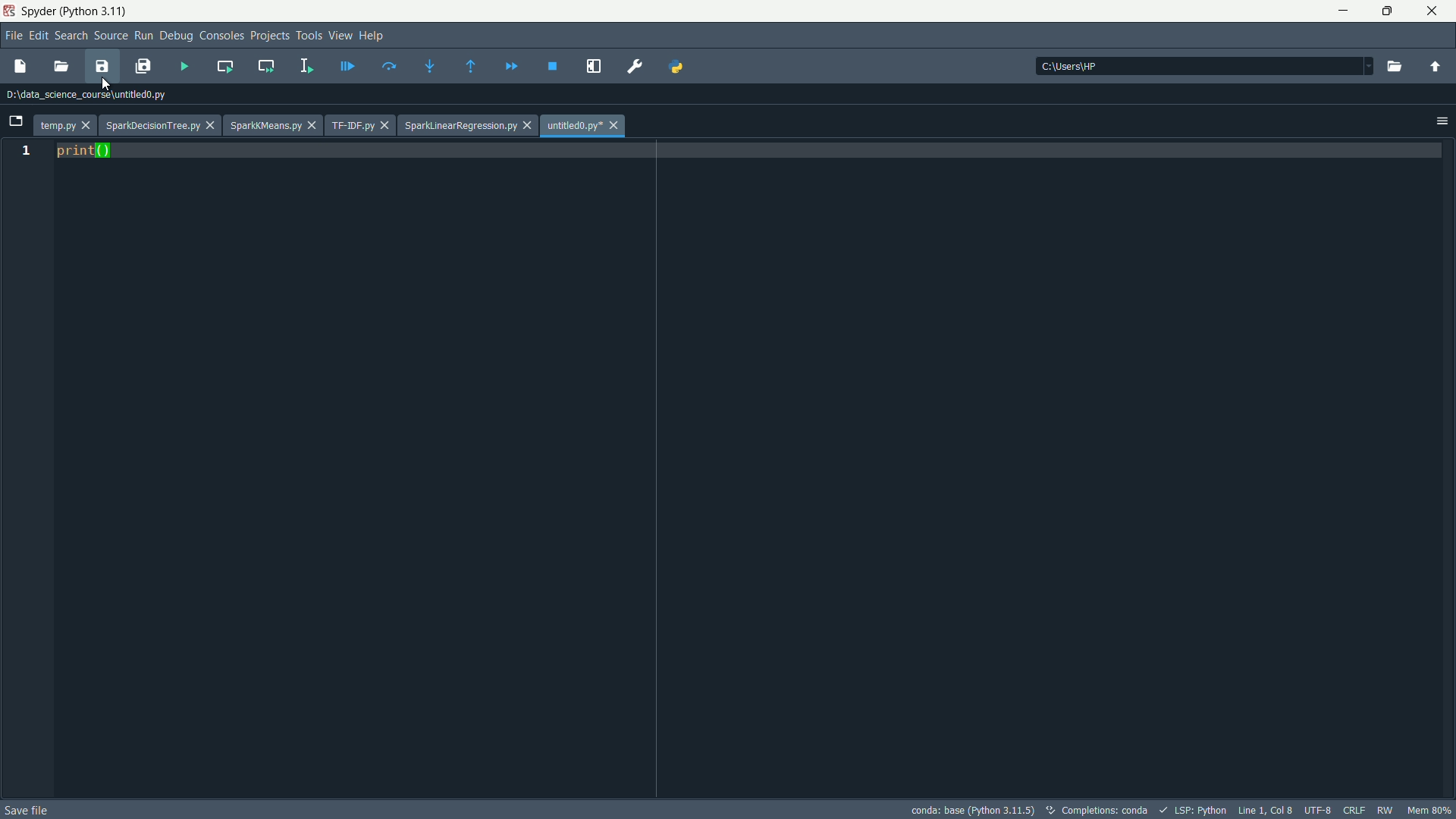 Image resolution: width=1456 pixels, height=819 pixels. Describe the element at coordinates (573, 127) in the screenshot. I see `untitled0.py*` at that location.